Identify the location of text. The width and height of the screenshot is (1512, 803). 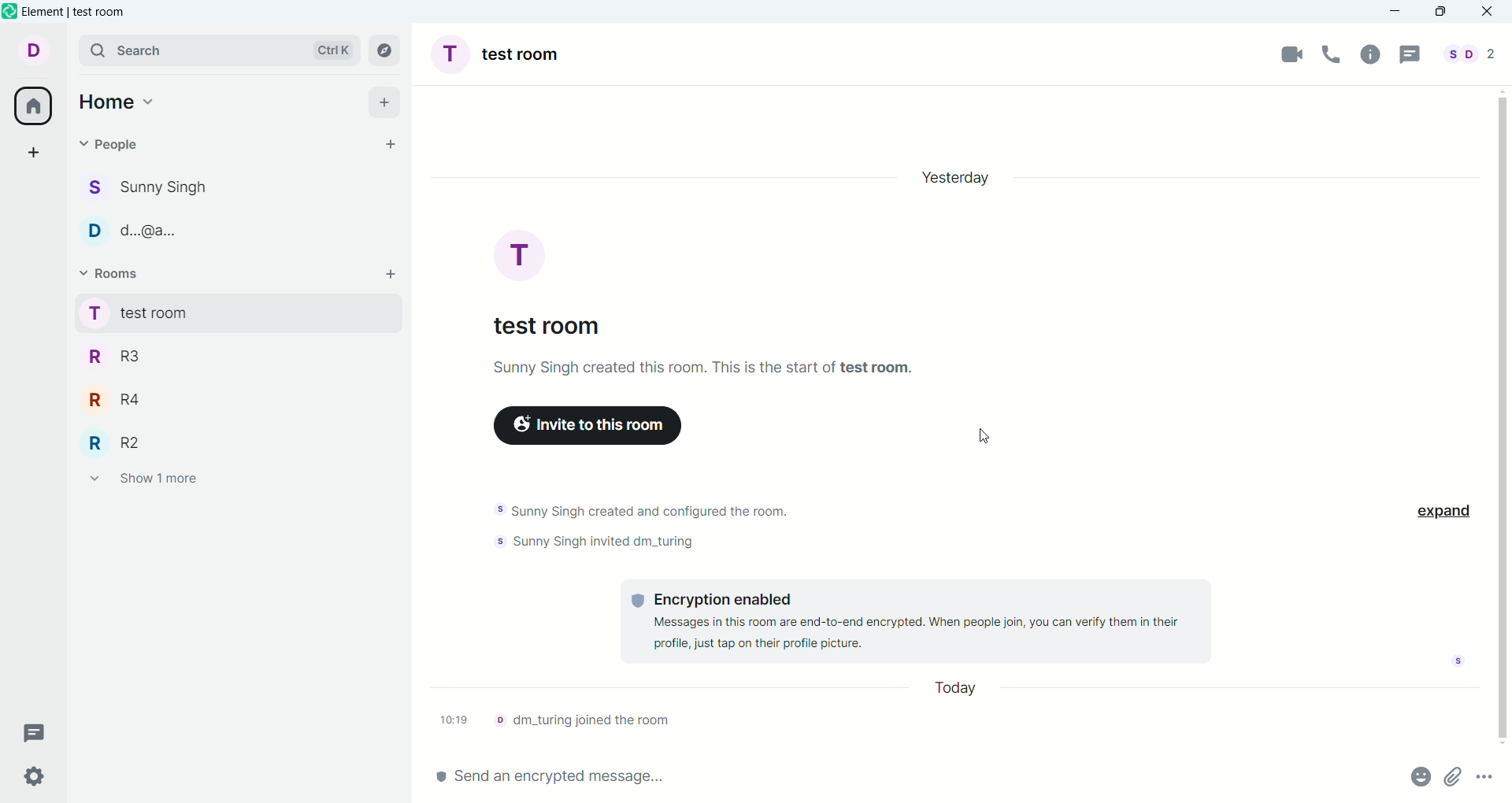
(701, 372).